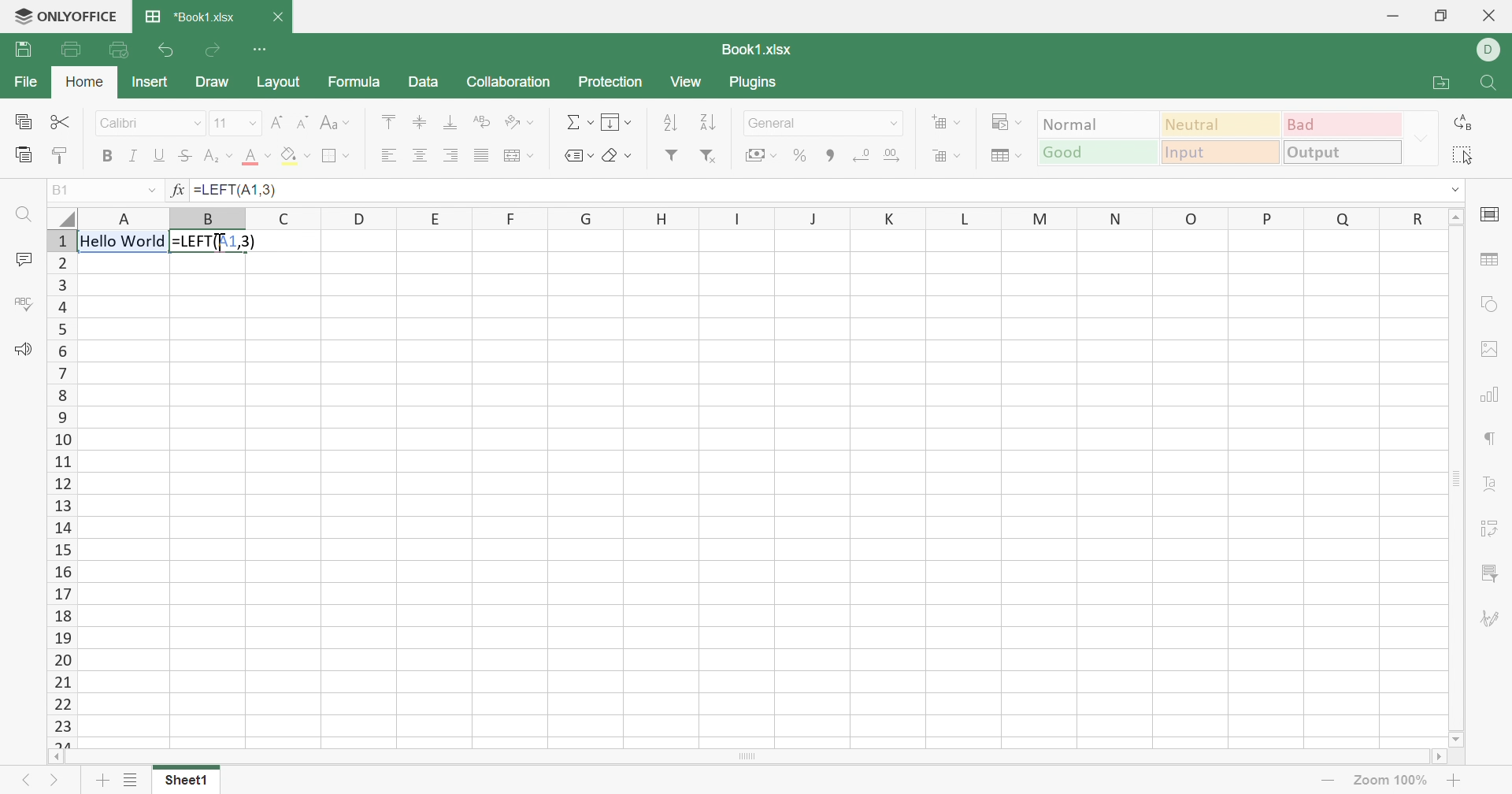 This screenshot has height=794, width=1512. What do you see at coordinates (1492, 573) in the screenshot?
I see `Slicer settings` at bounding box center [1492, 573].